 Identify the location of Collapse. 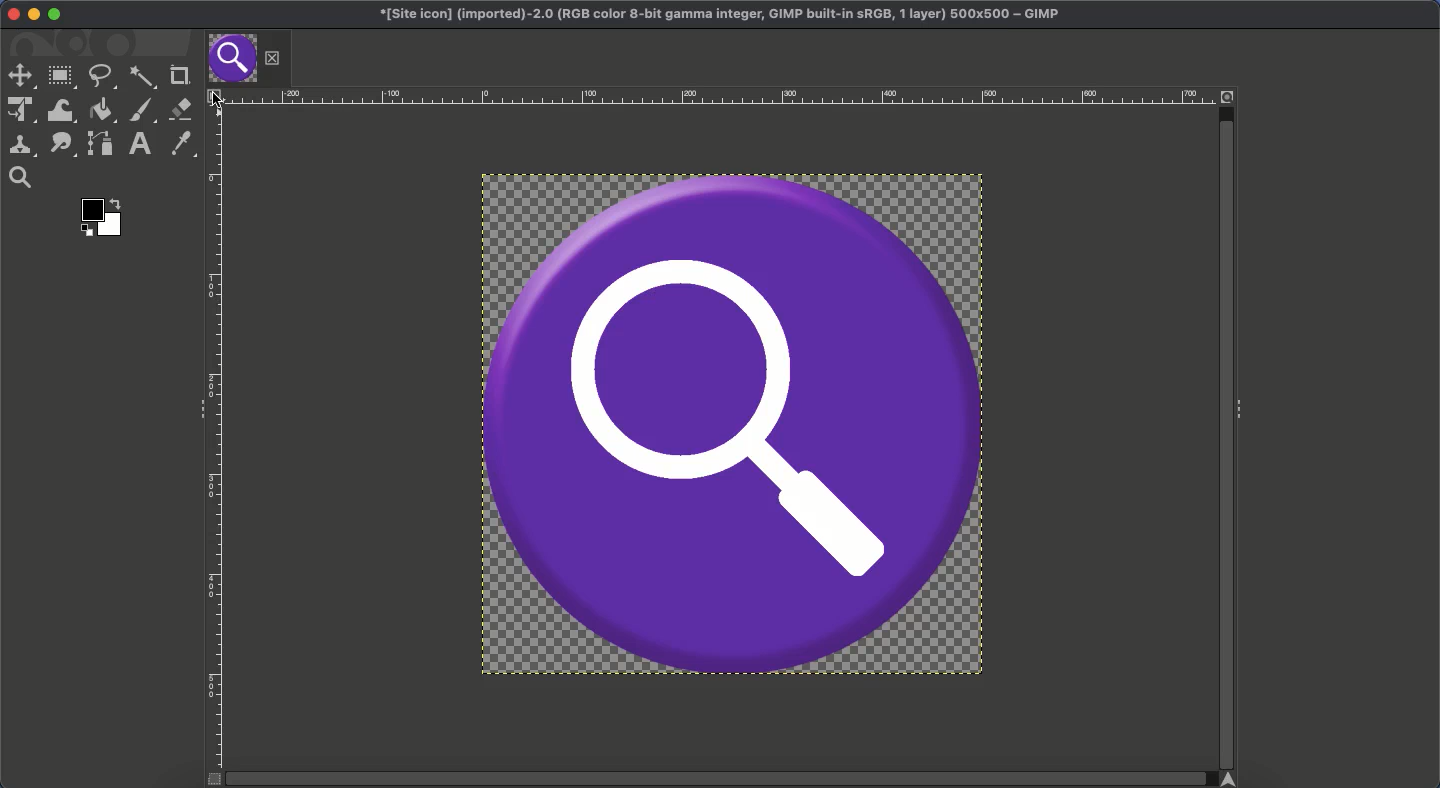
(197, 410).